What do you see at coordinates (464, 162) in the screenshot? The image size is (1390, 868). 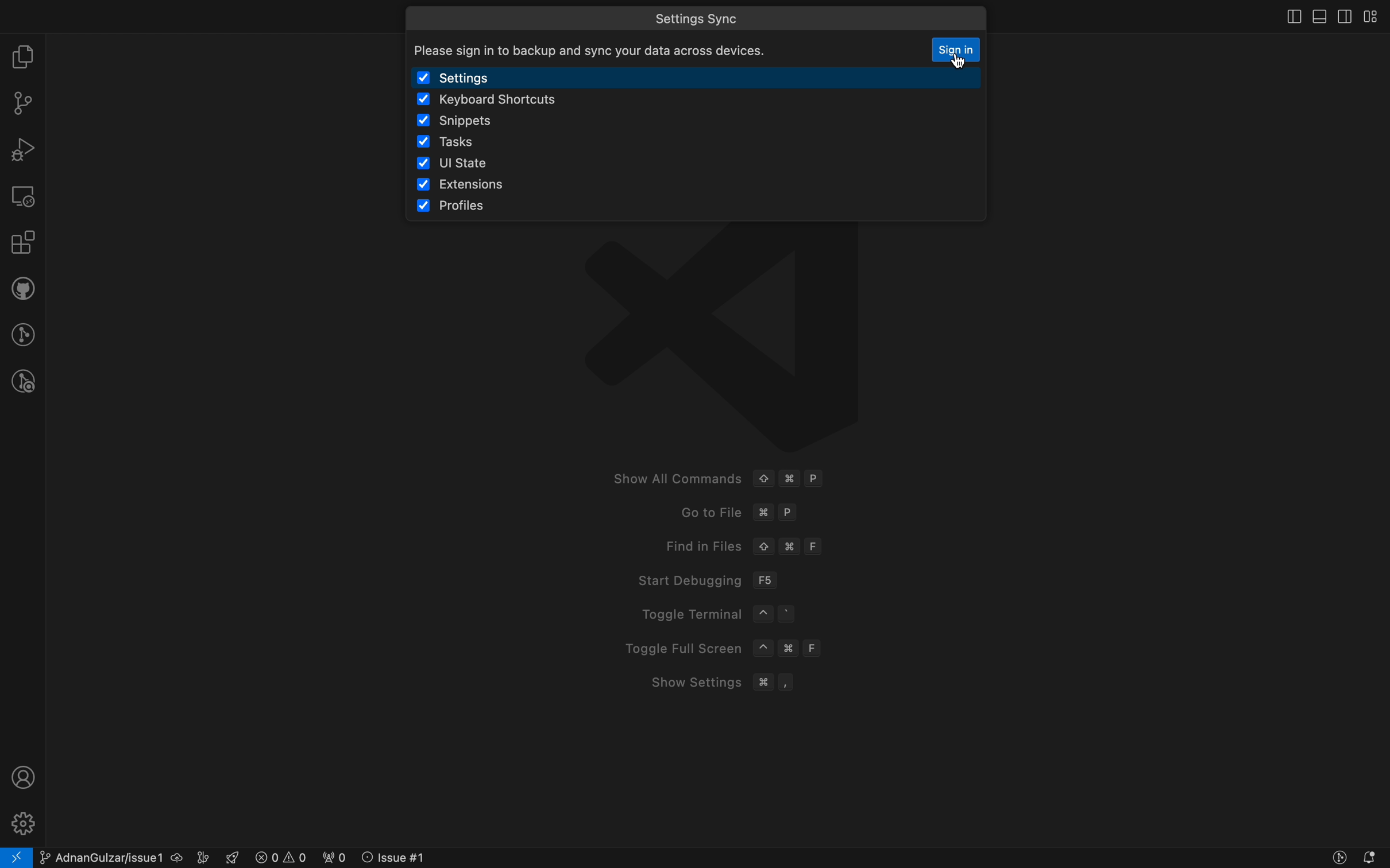 I see `ui state` at bounding box center [464, 162].